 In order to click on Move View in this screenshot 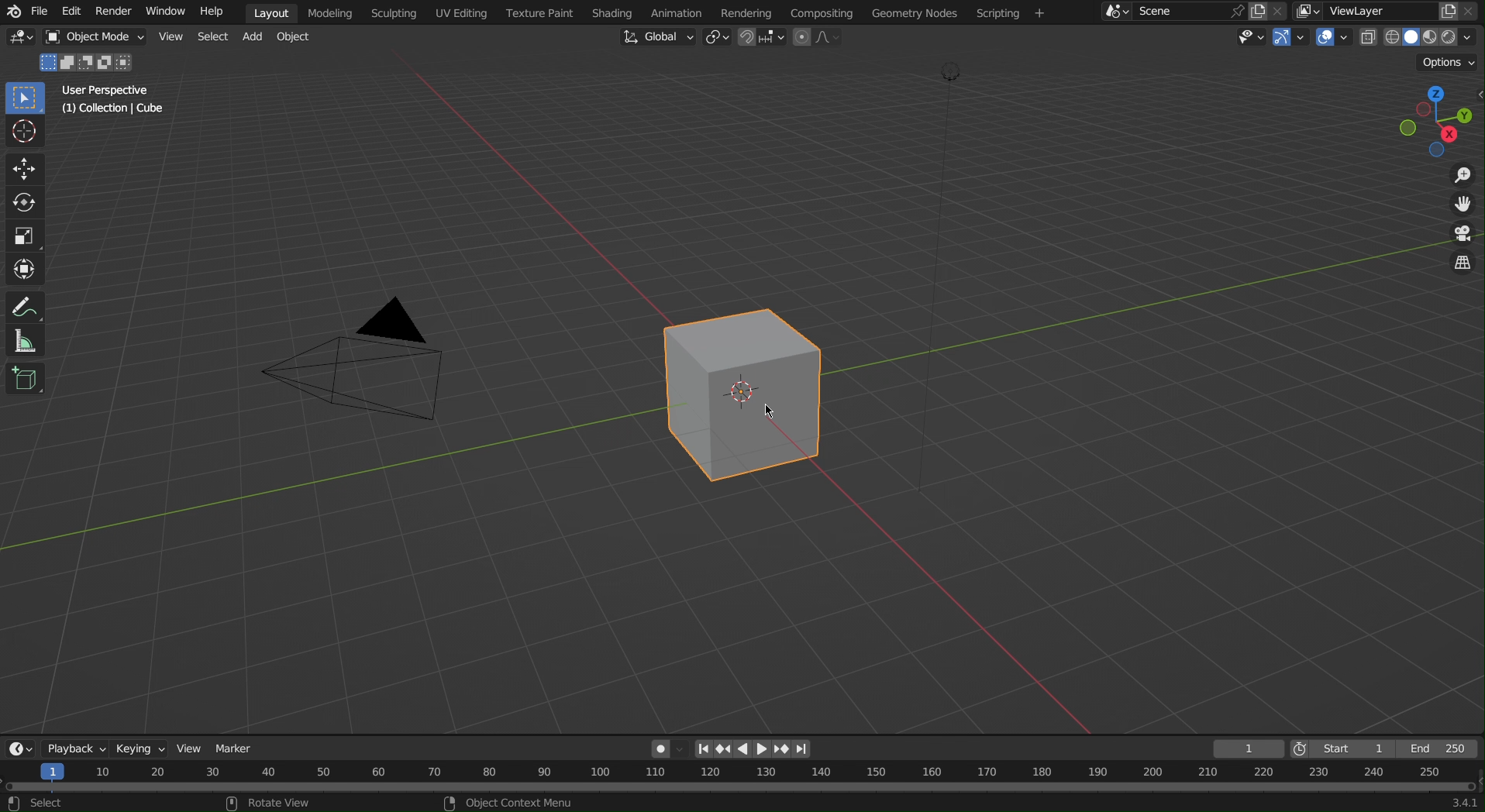, I will do `click(1461, 205)`.